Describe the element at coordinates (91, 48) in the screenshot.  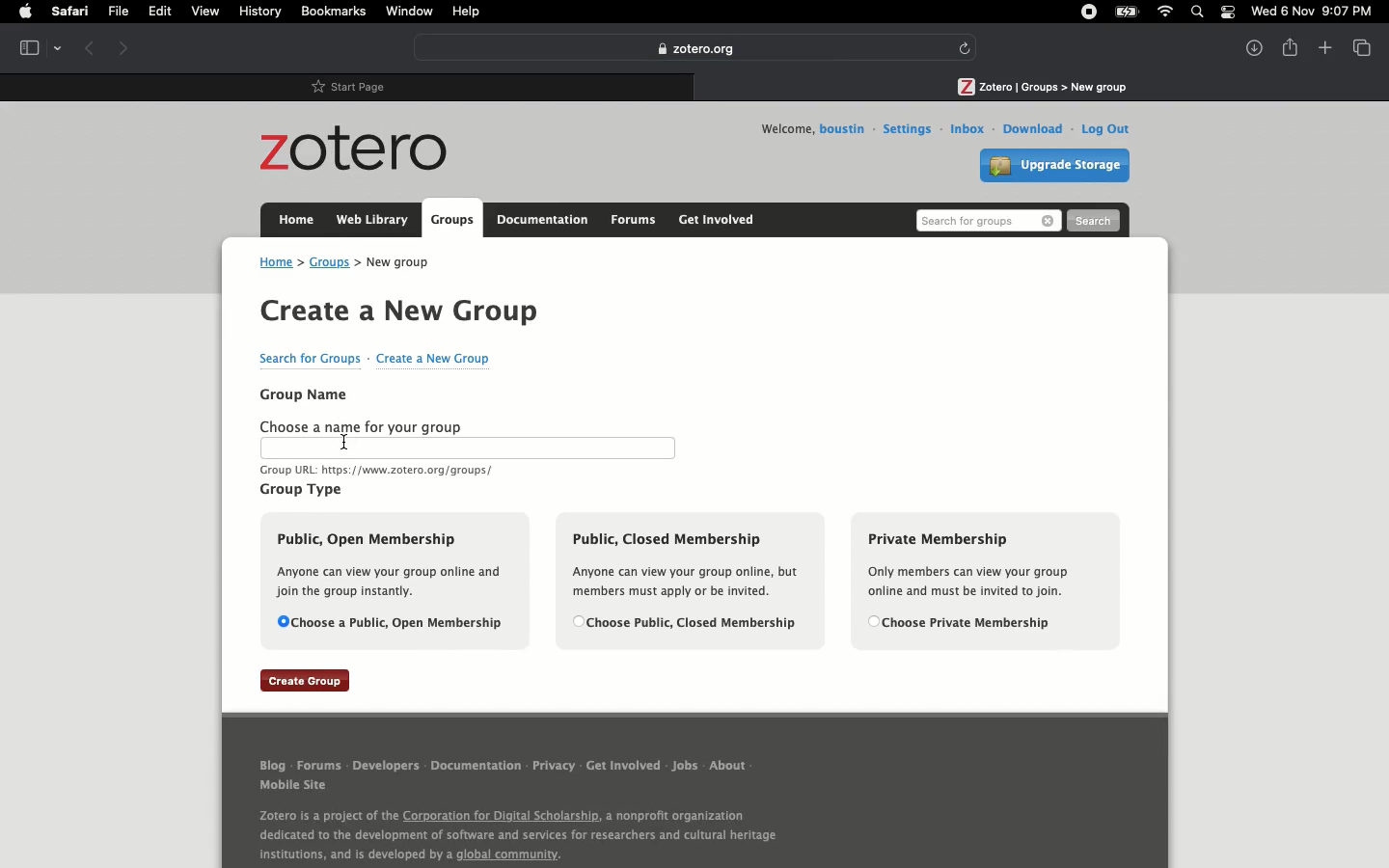
I see `Previous` at that location.